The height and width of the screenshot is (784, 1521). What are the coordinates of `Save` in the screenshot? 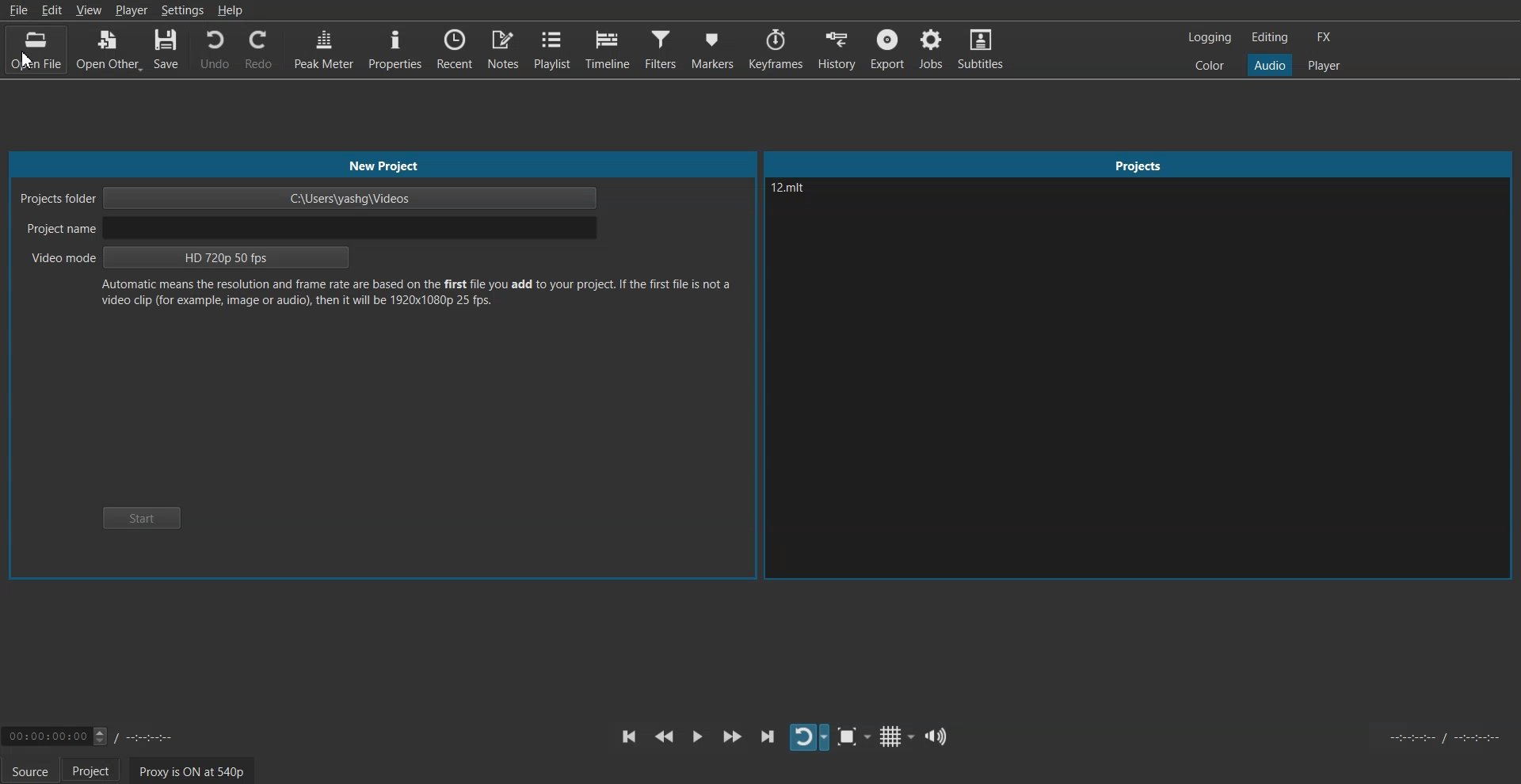 It's located at (166, 51).